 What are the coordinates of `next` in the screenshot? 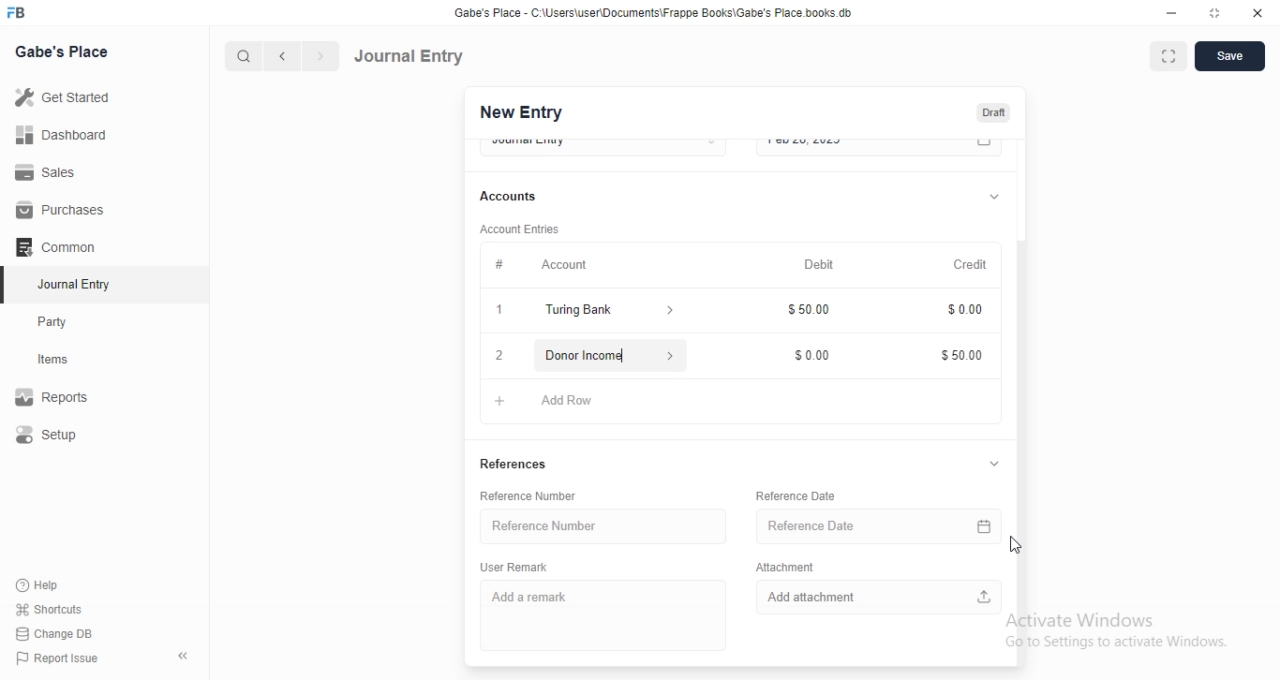 It's located at (318, 57).